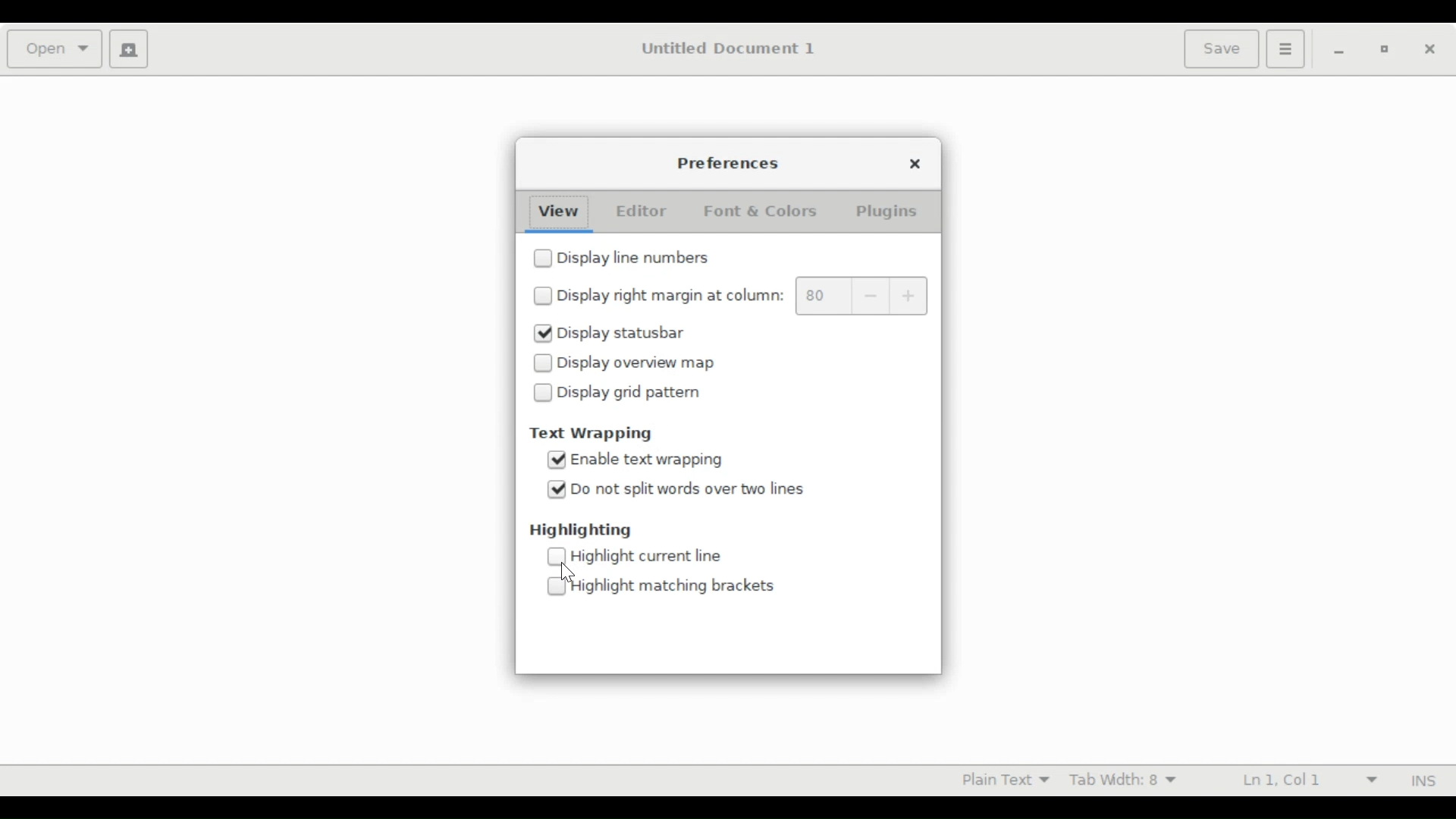 The width and height of the screenshot is (1456, 819). Describe the element at coordinates (727, 163) in the screenshot. I see `Preferences` at that location.